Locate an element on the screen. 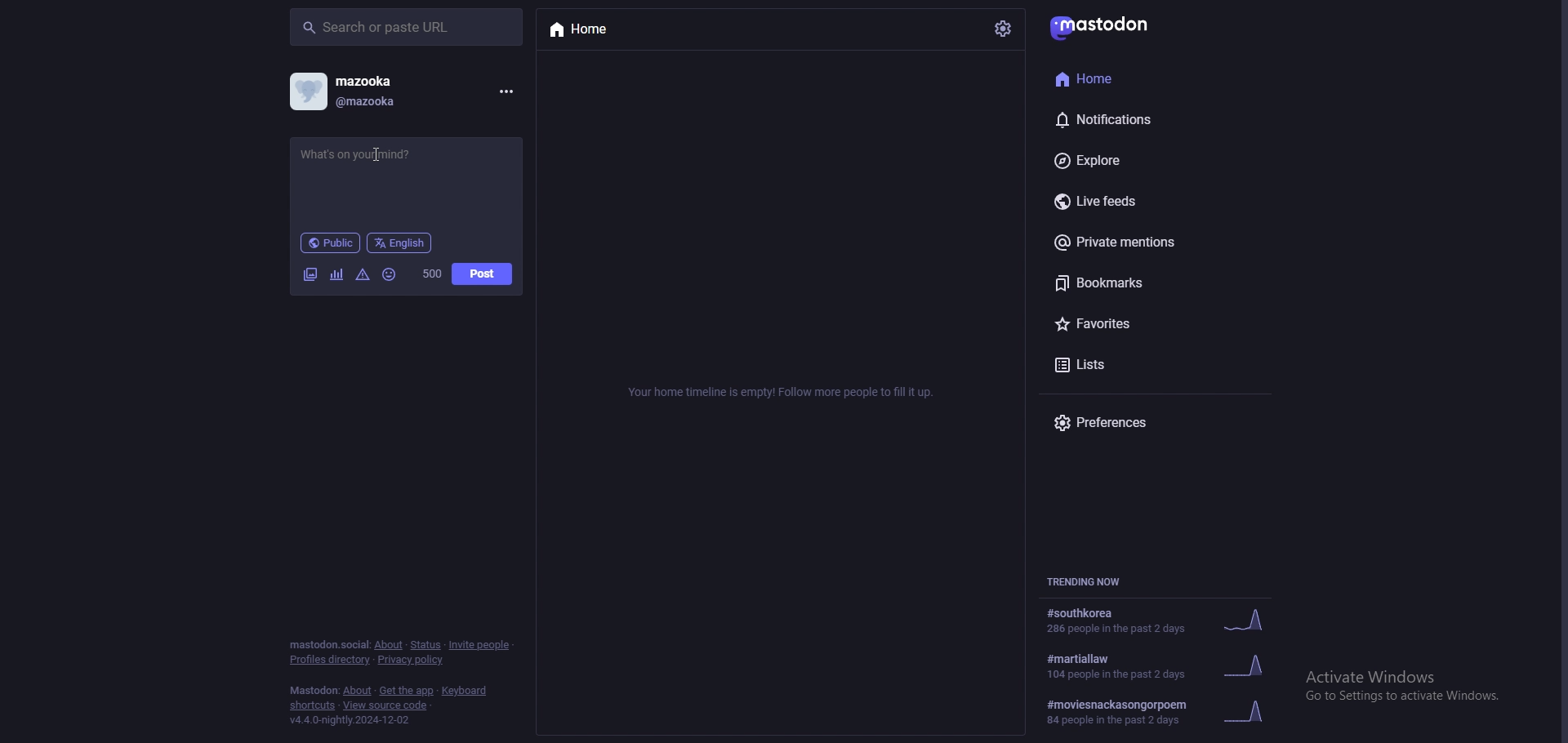 This screenshot has width=1568, height=743. info is located at coordinates (785, 392).